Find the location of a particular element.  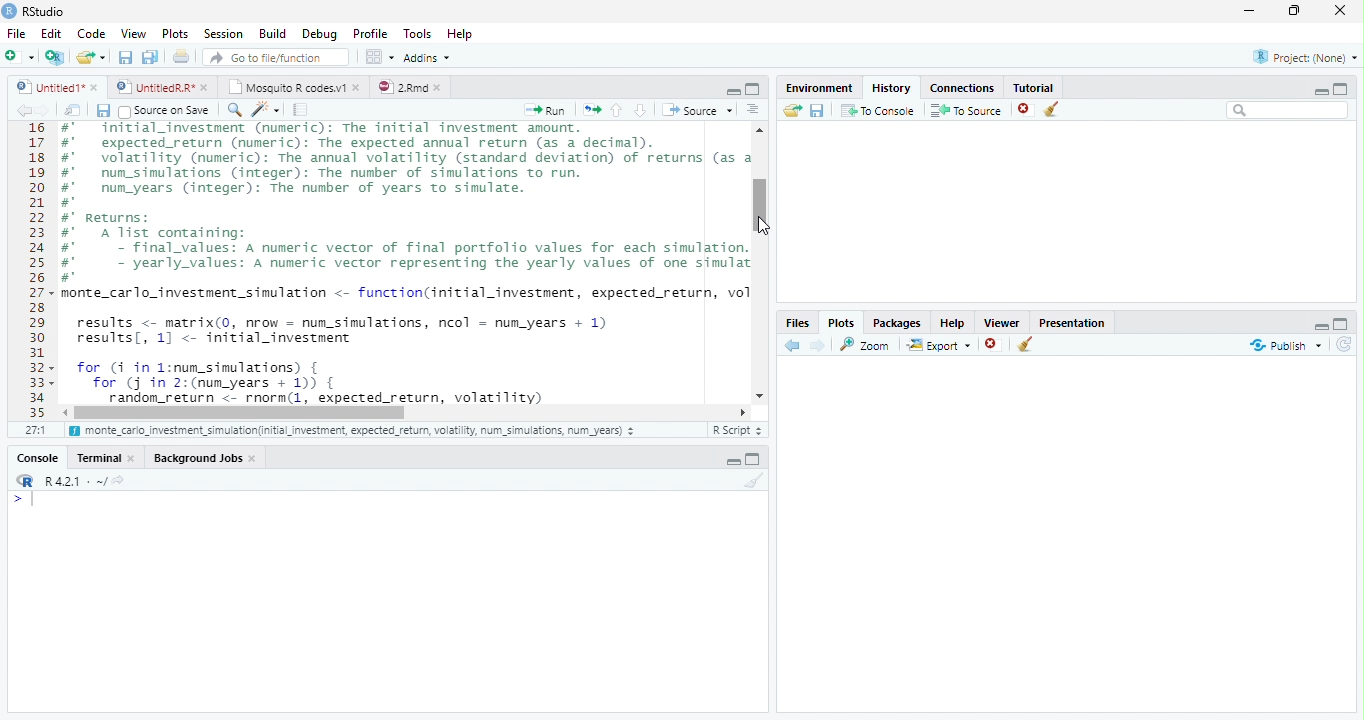

Remove selected is located at coordinates (995, 345).